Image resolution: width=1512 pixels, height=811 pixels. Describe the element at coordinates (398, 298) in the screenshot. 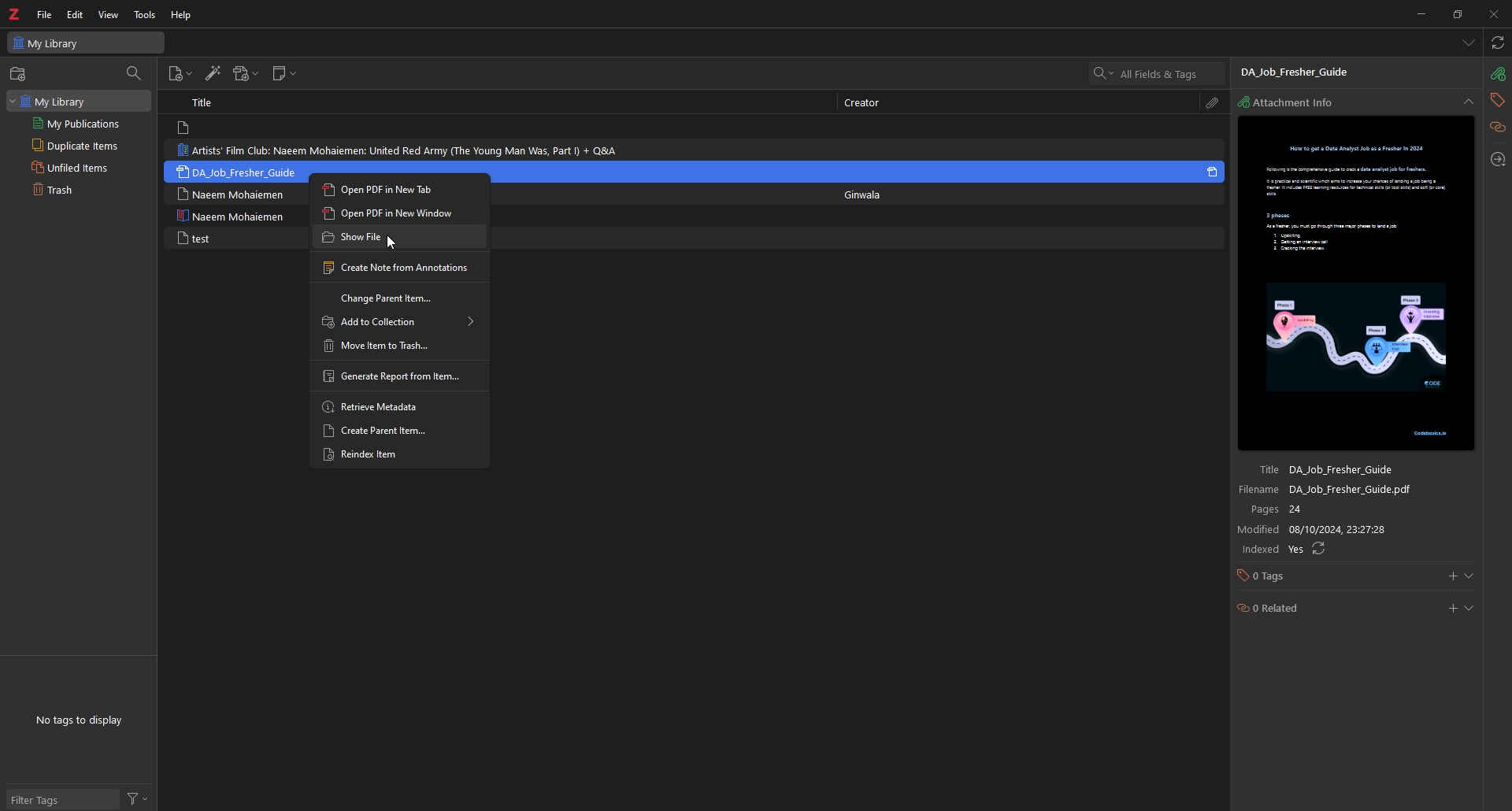

I see `change parent item` at that location.